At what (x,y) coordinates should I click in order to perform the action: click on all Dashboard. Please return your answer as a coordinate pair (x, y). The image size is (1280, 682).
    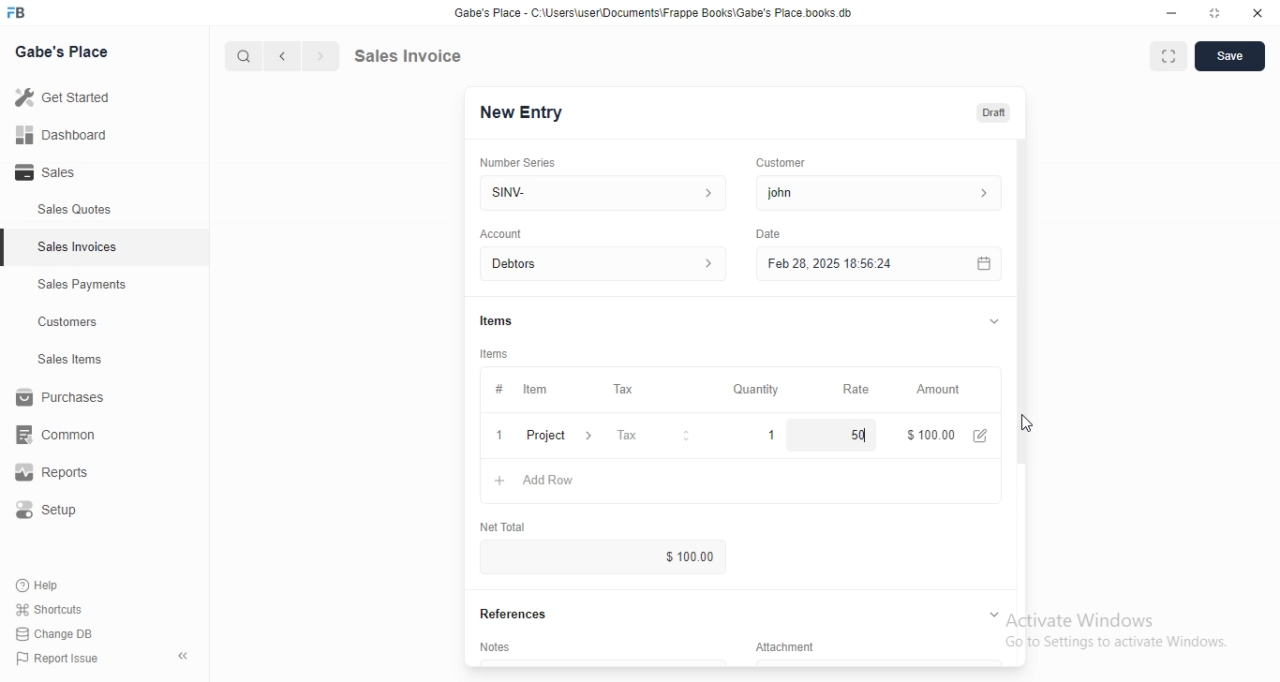
    Looking at the image, I should click on (69, 141).